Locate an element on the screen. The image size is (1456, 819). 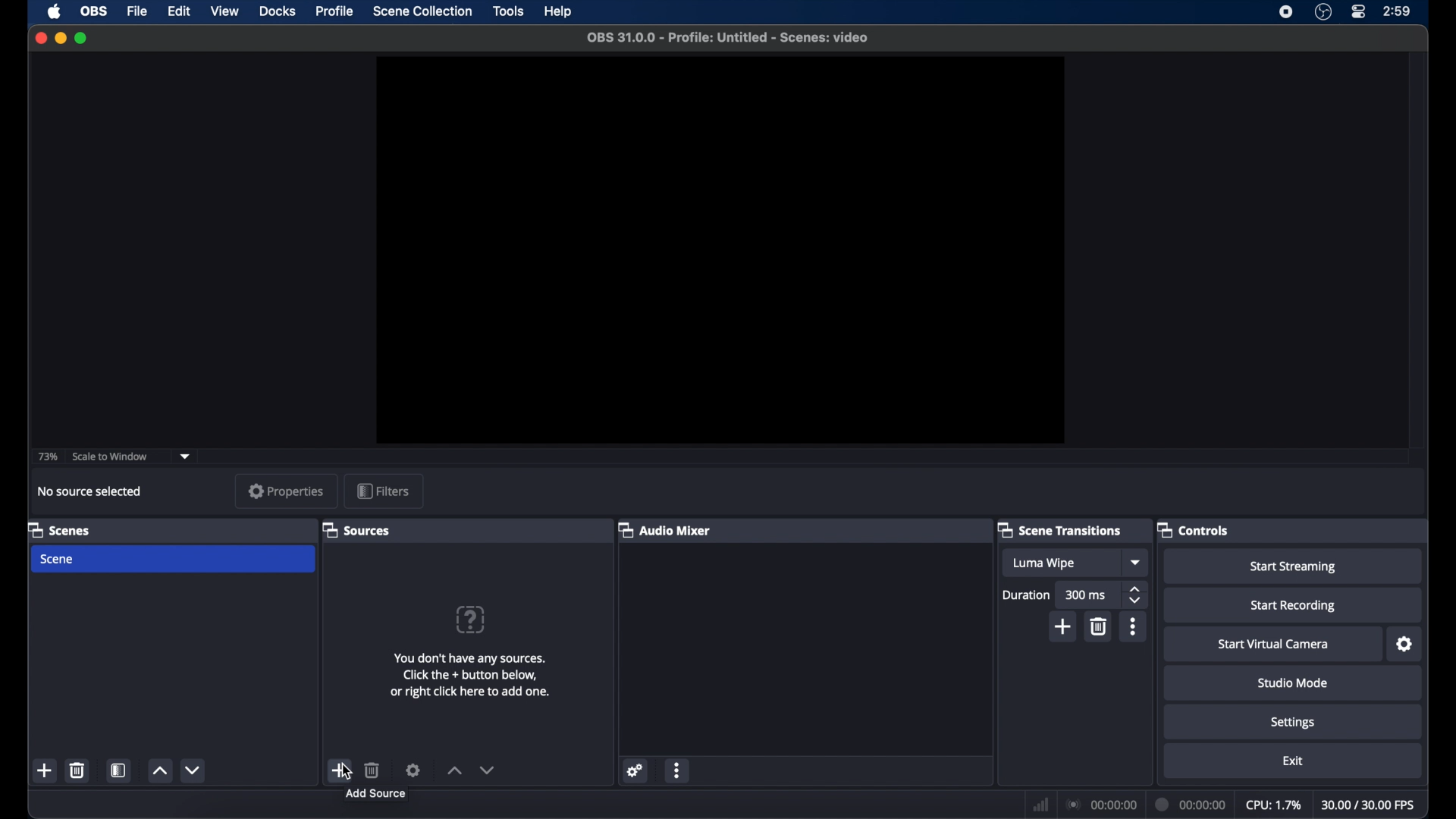
start virtual camera is located at coordinates (1274, 645).